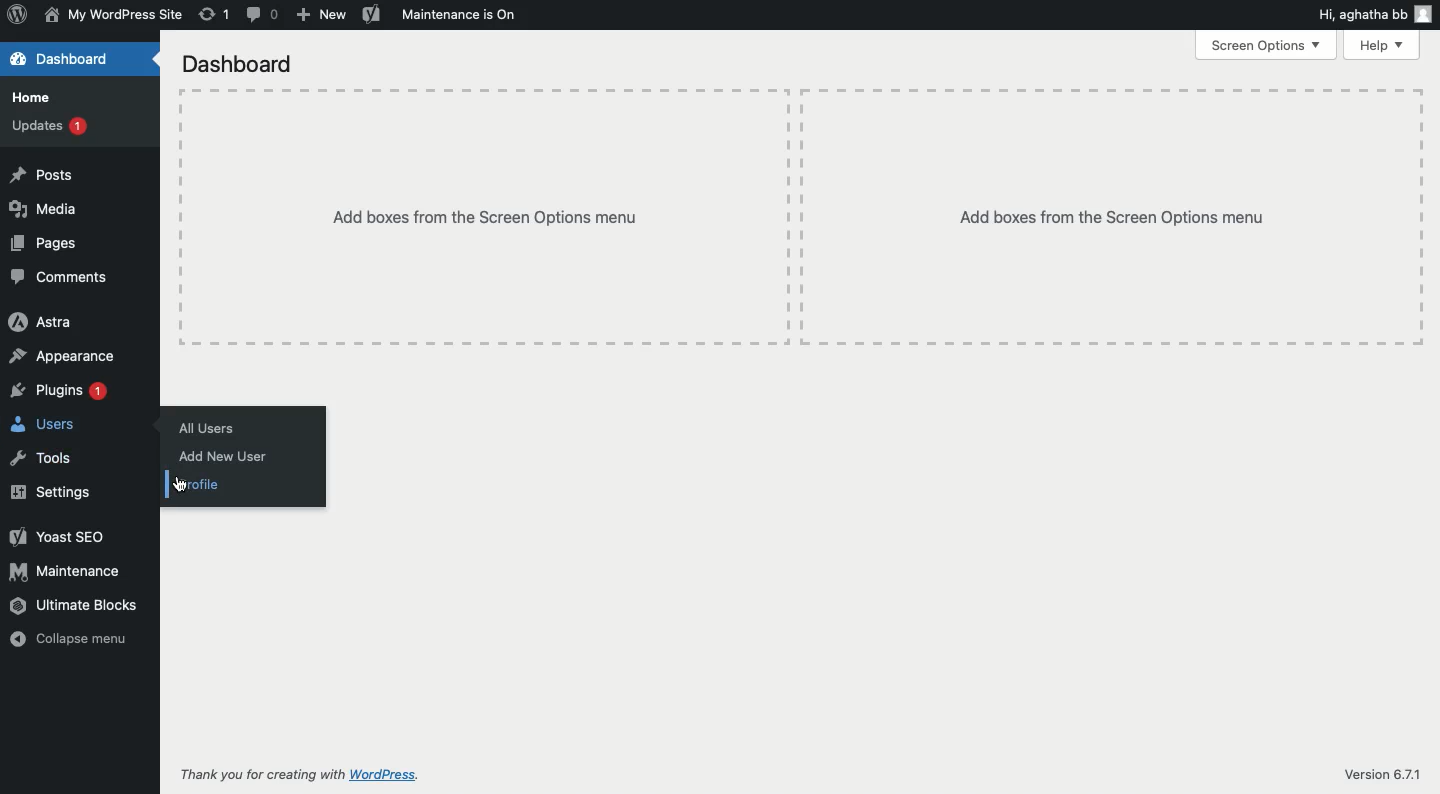  Describe the element at coordinates (61, 279) in the screenshot. I see `Comments` at that location.